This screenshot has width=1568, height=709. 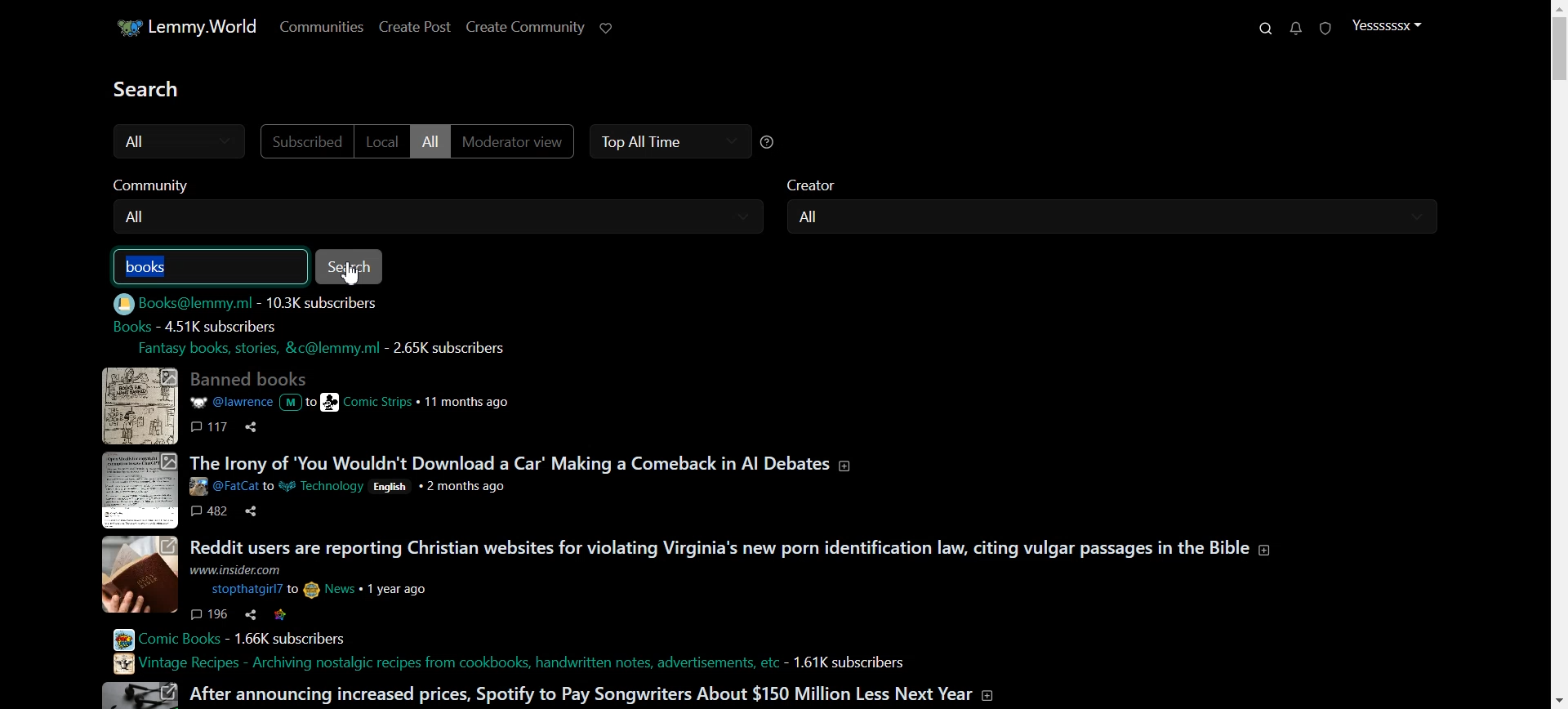 What do you see at coordinates (674, 141) in the screenshot?
I see `Top All Time` at bounding box center [674, 141].